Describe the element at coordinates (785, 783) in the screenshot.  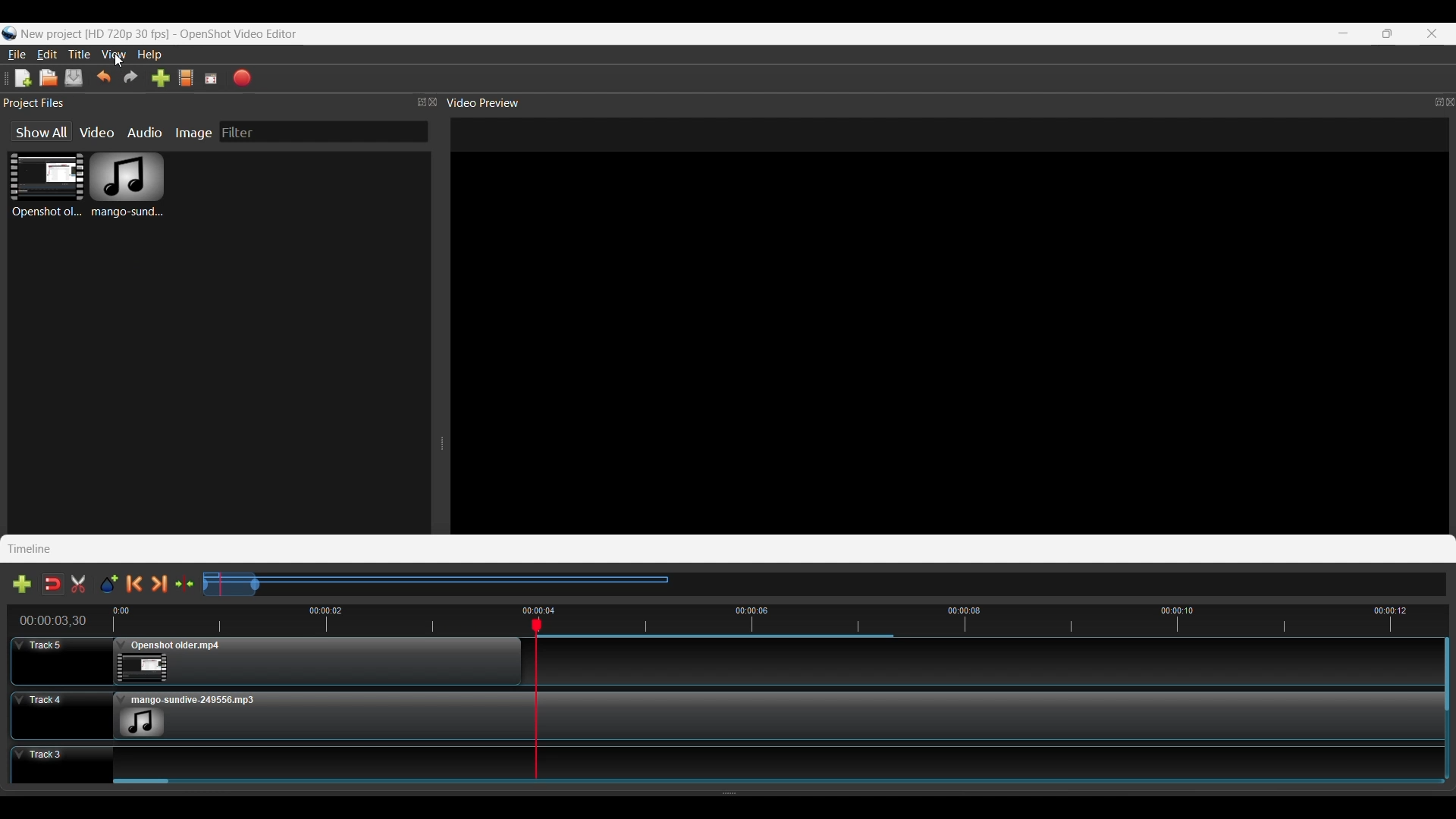
I see `Slider` at that location.